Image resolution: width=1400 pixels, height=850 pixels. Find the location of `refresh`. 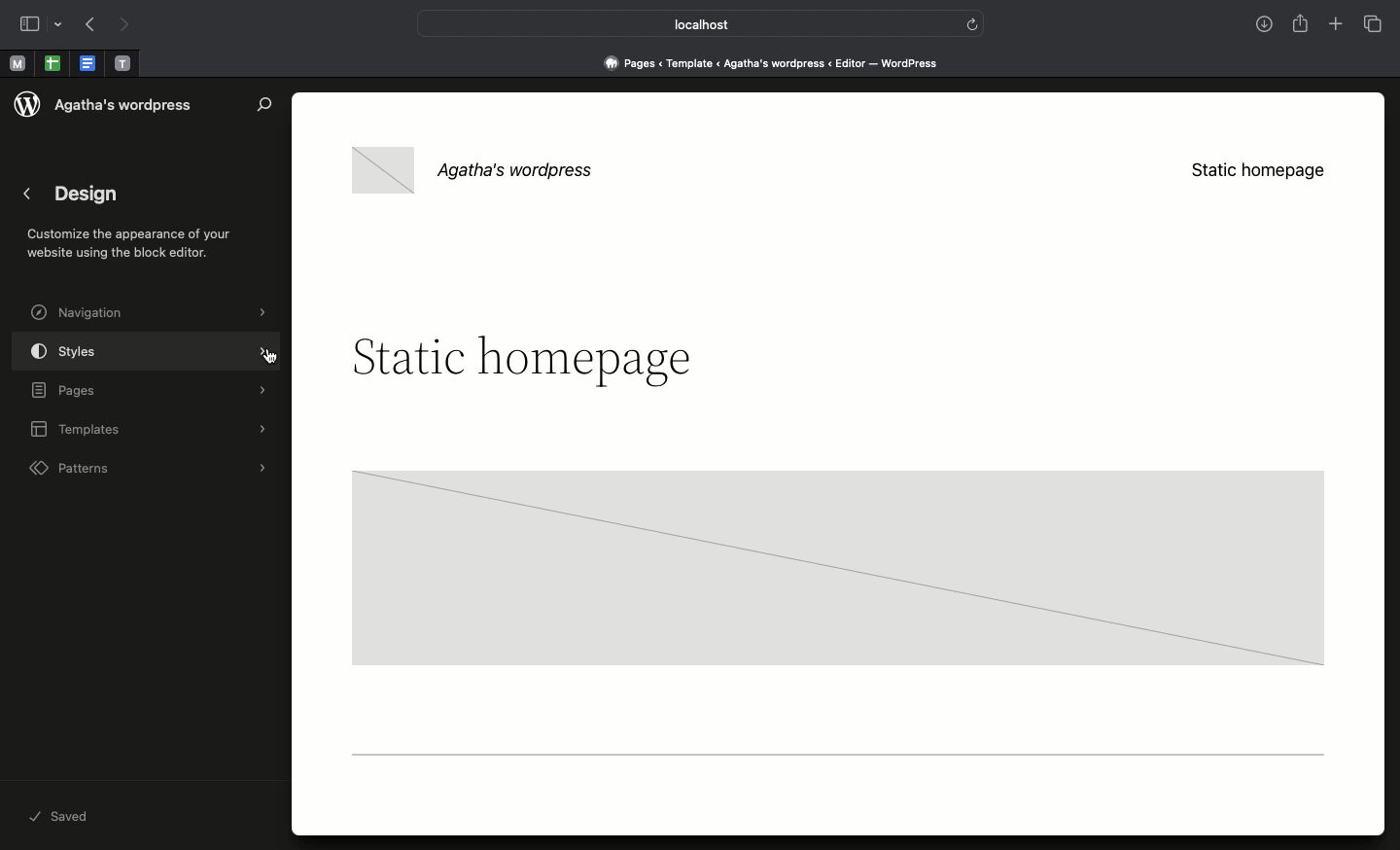

refresh is located at coordinates (972, 22).